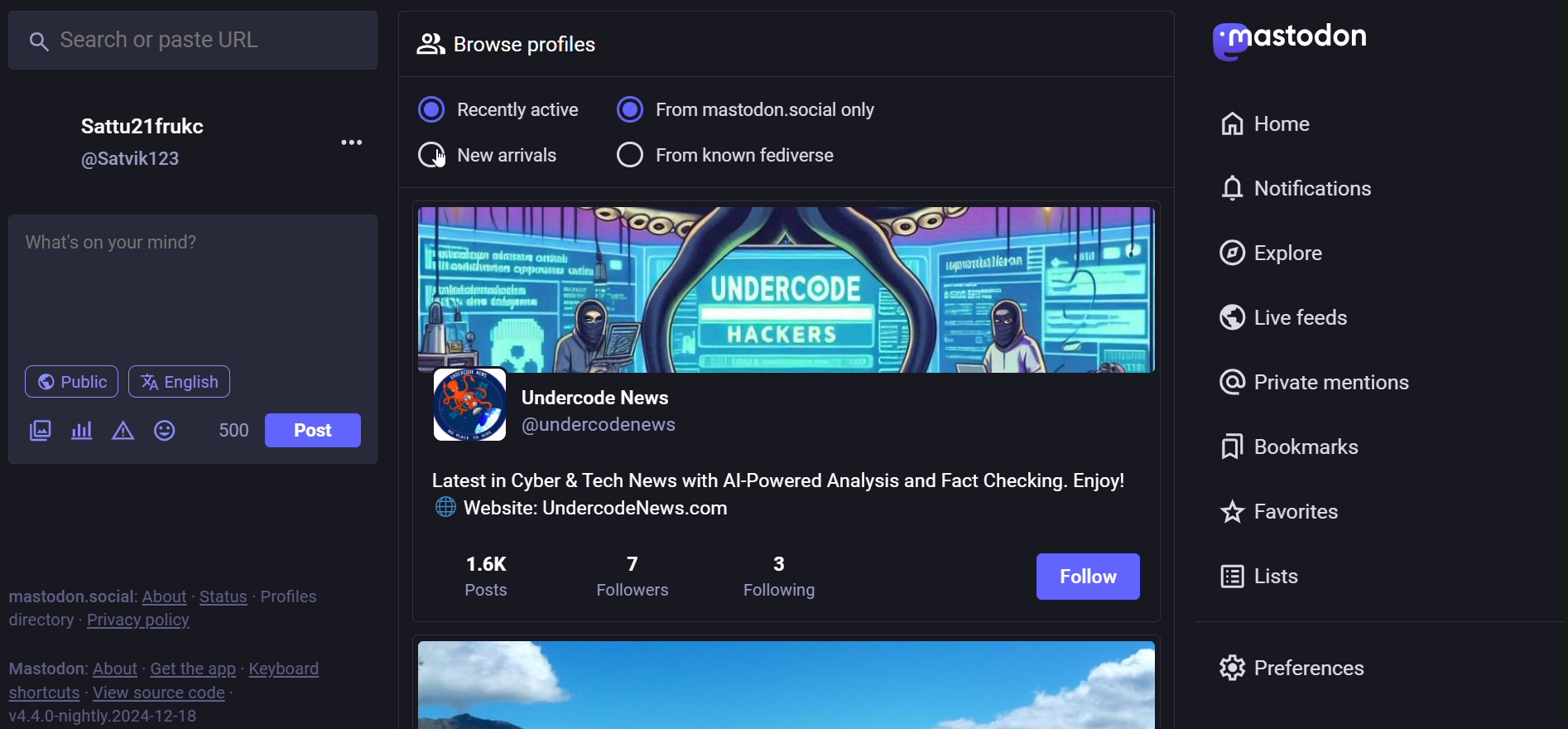 Image resolution: width=1568 pixels, height=729 pixels. What do you see at coordinates (65, 595) in the screenshot?
I see `mastodon social` at bounding box center [65, 595].